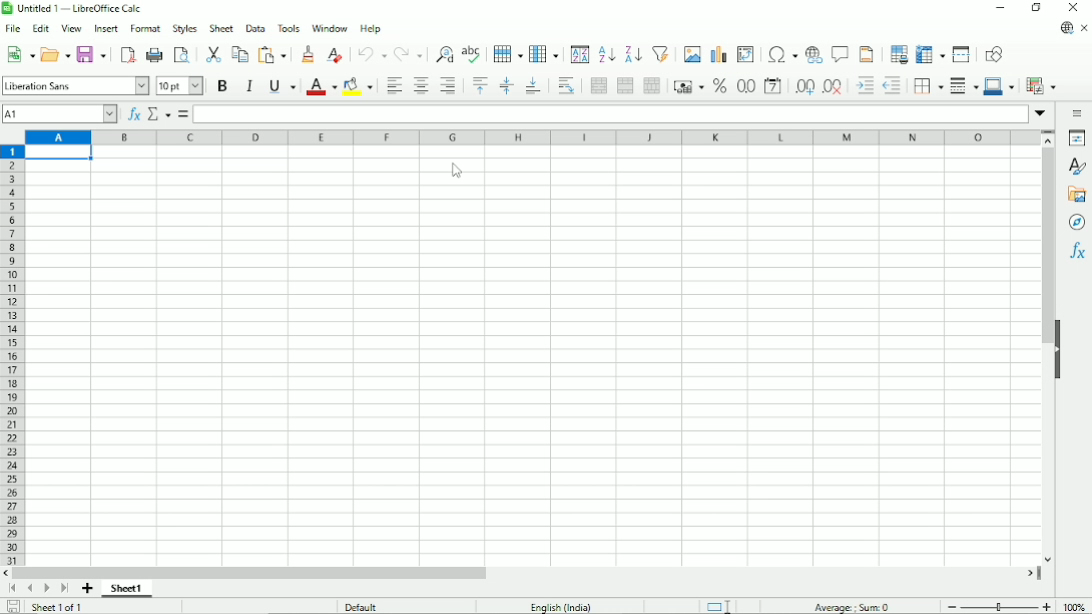 This screenshot has height=614, width=1092. Describe the element at coordinates (457, 171) in the screenshot. I see `Cursor` at that location.